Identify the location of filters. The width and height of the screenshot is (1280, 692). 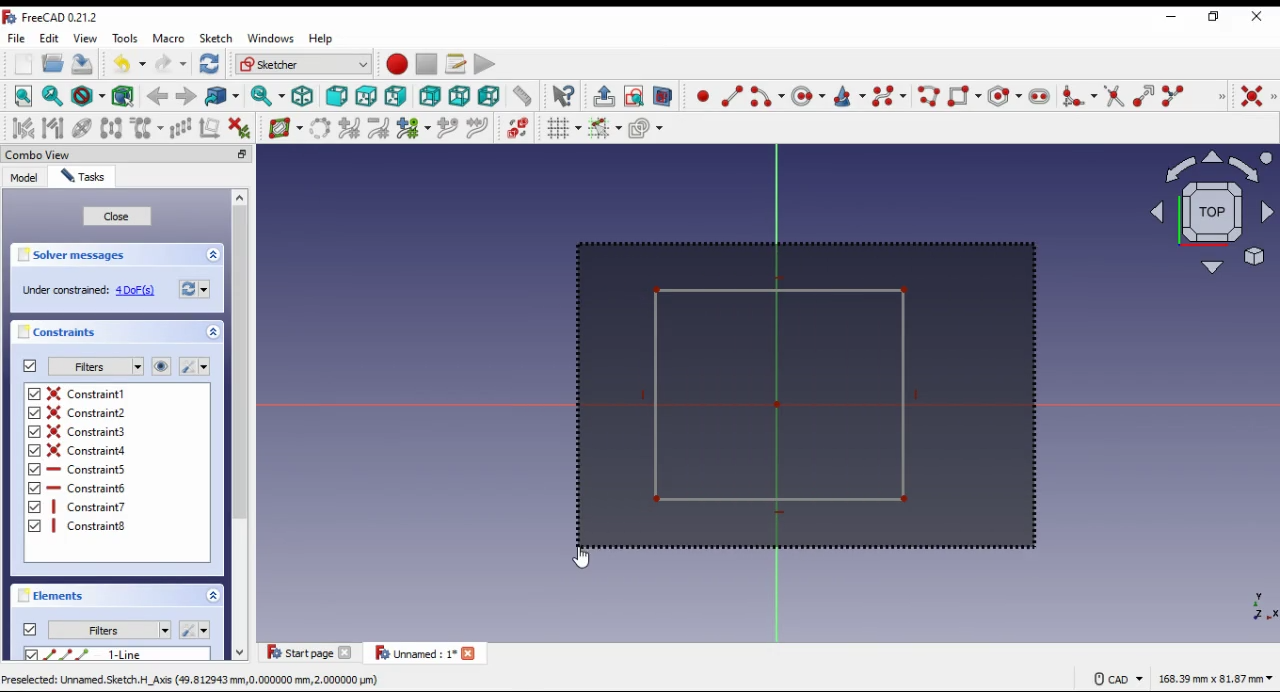
(109, 630).